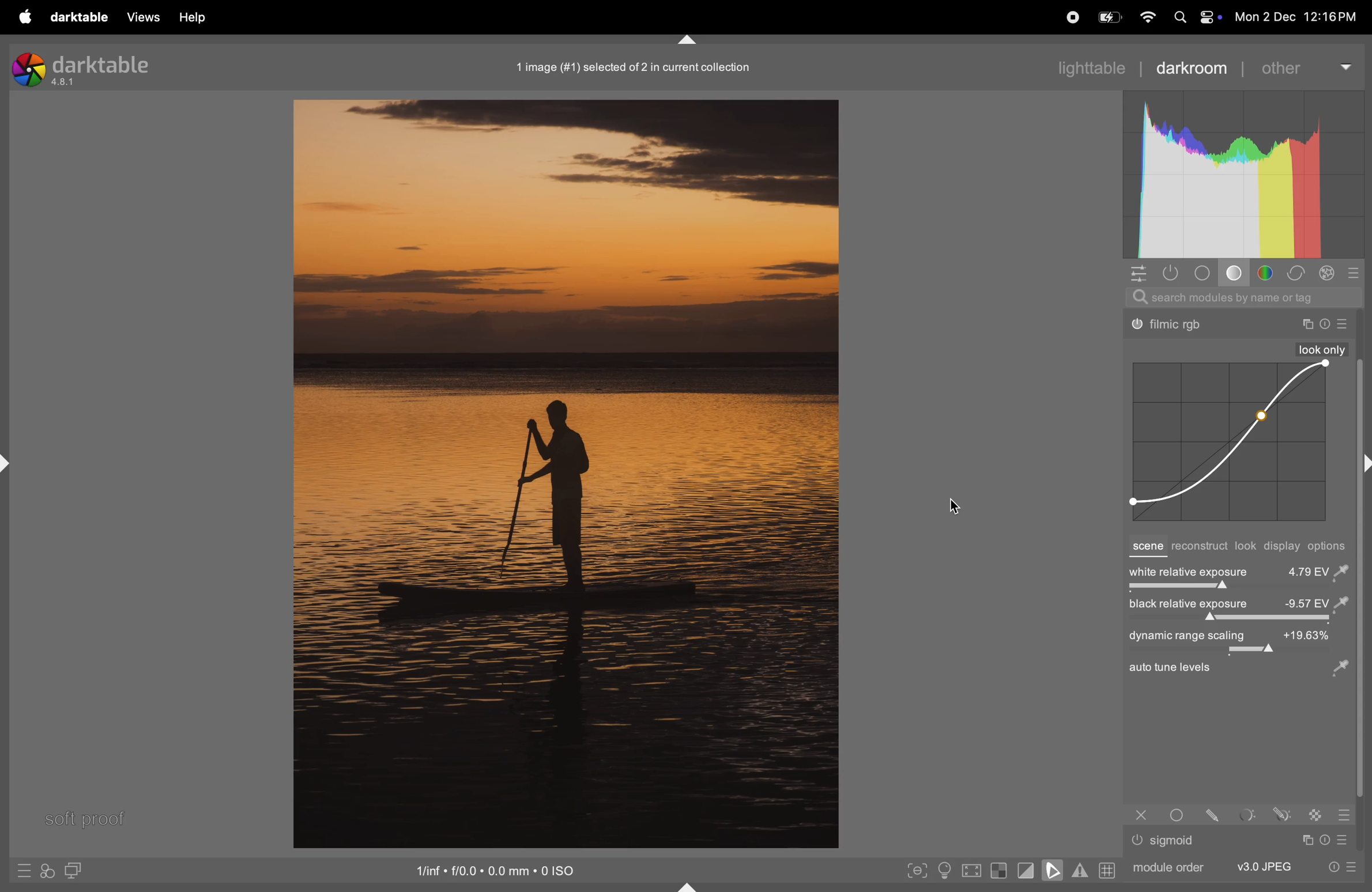 Image resolution: width=1372 pixels, height=892 pixels. I want to click on other, so click(1304, 66).